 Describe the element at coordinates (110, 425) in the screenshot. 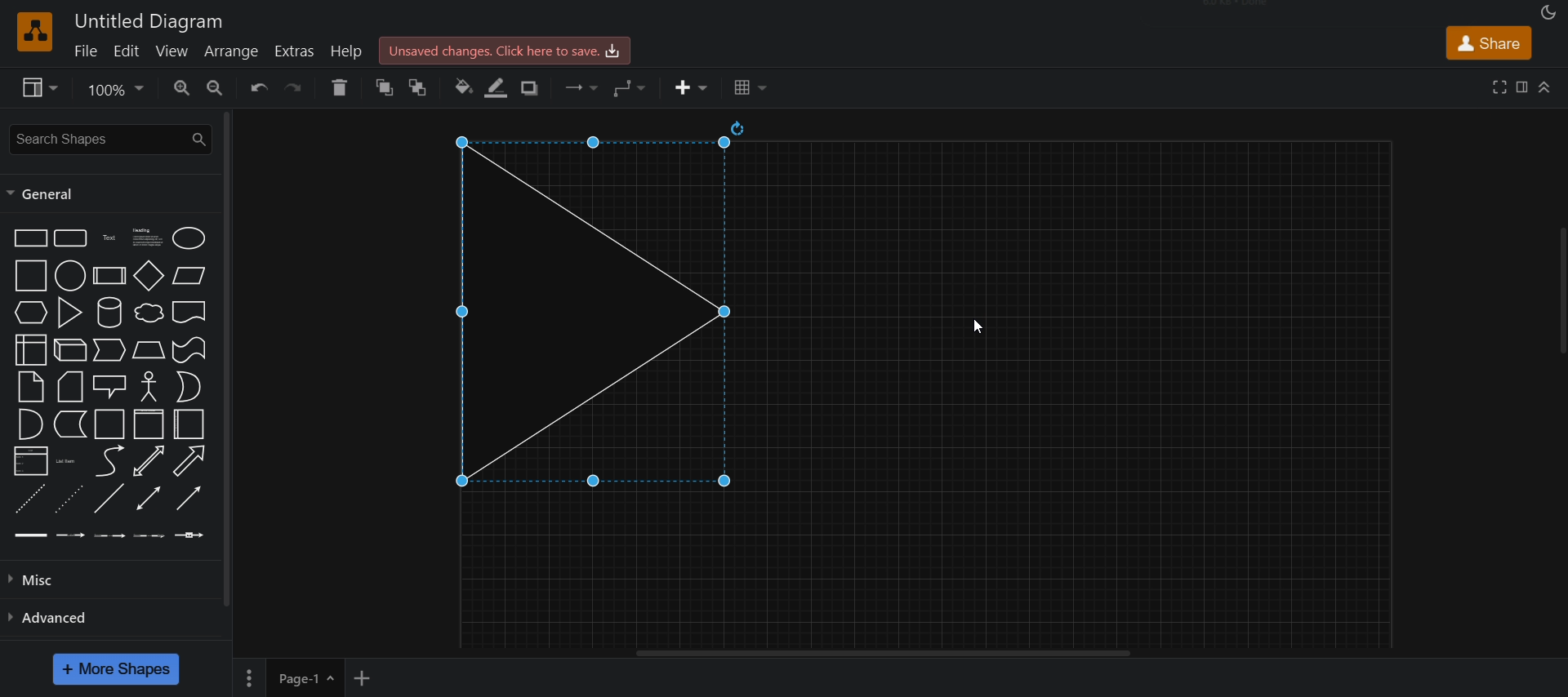

I see `container` at that location.